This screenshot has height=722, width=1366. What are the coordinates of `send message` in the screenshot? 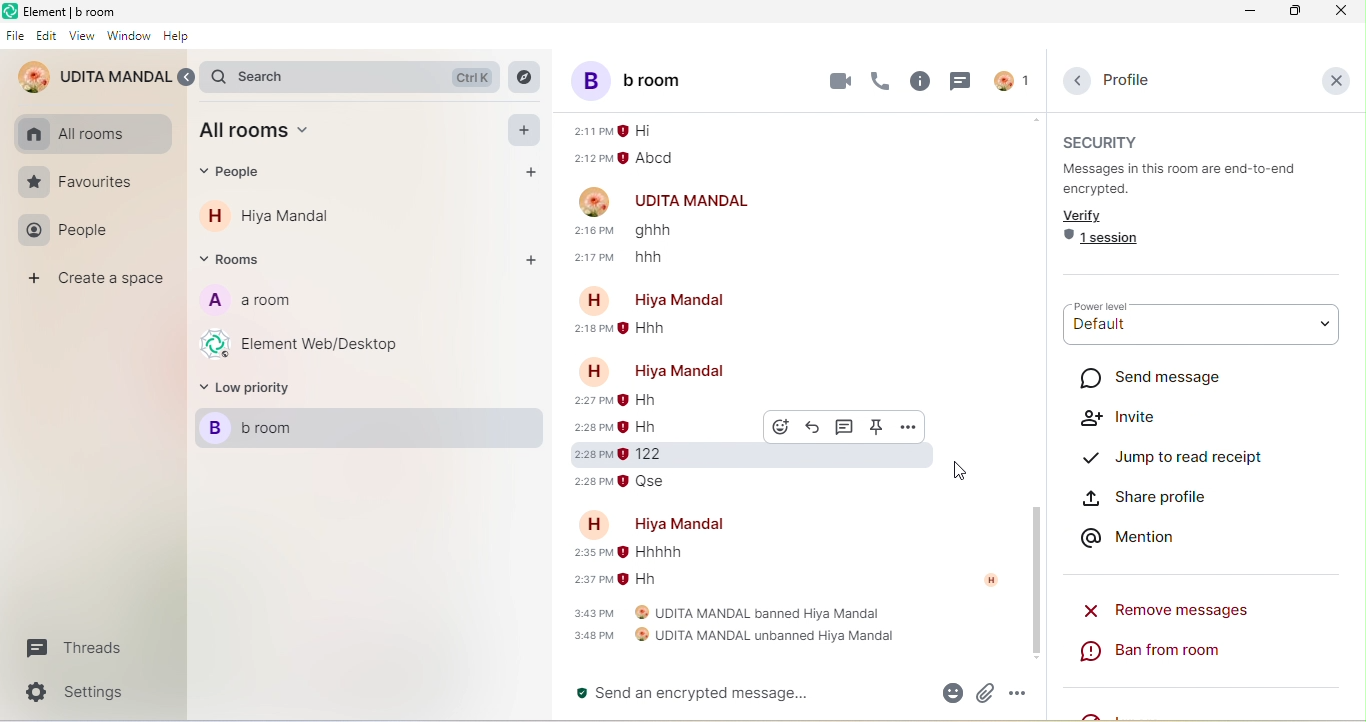 It's located at (1168, 378).